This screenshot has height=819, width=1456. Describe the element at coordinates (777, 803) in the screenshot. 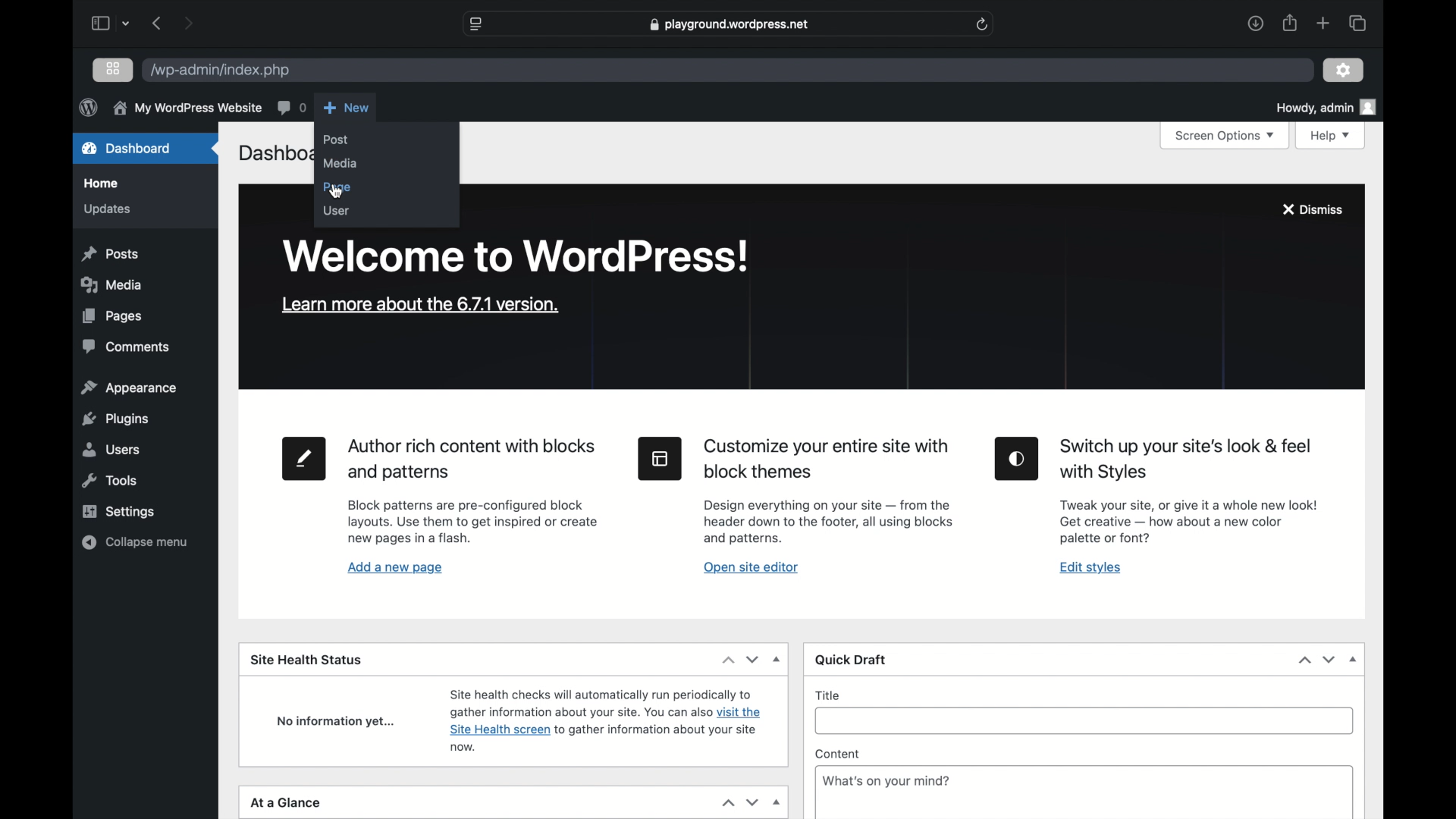

I see `dropdown` at that location.